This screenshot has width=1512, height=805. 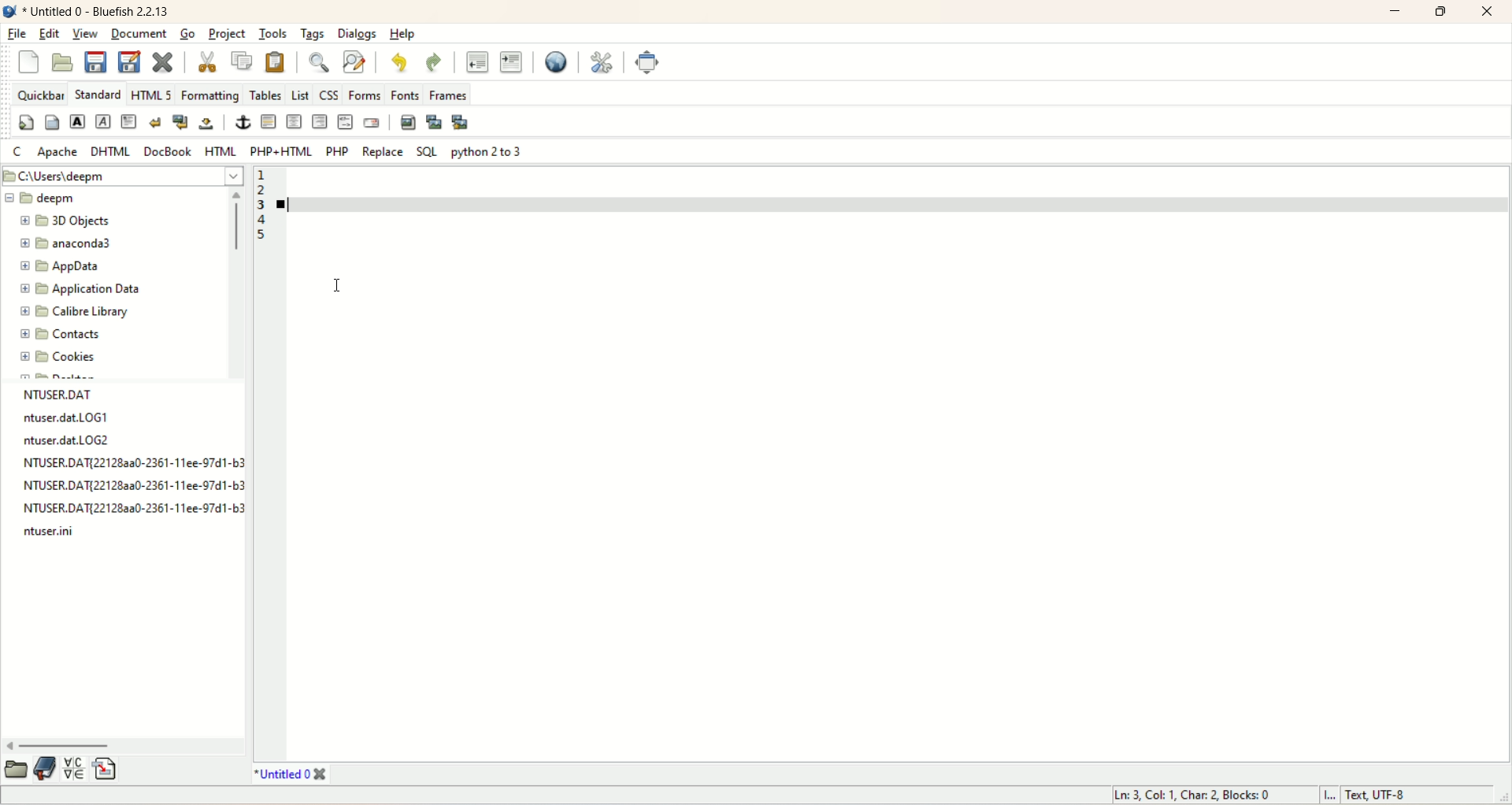 What do you see at coordinates (447, 93) in the screenshot?
I see `frames` at bounding box center [447, 93].